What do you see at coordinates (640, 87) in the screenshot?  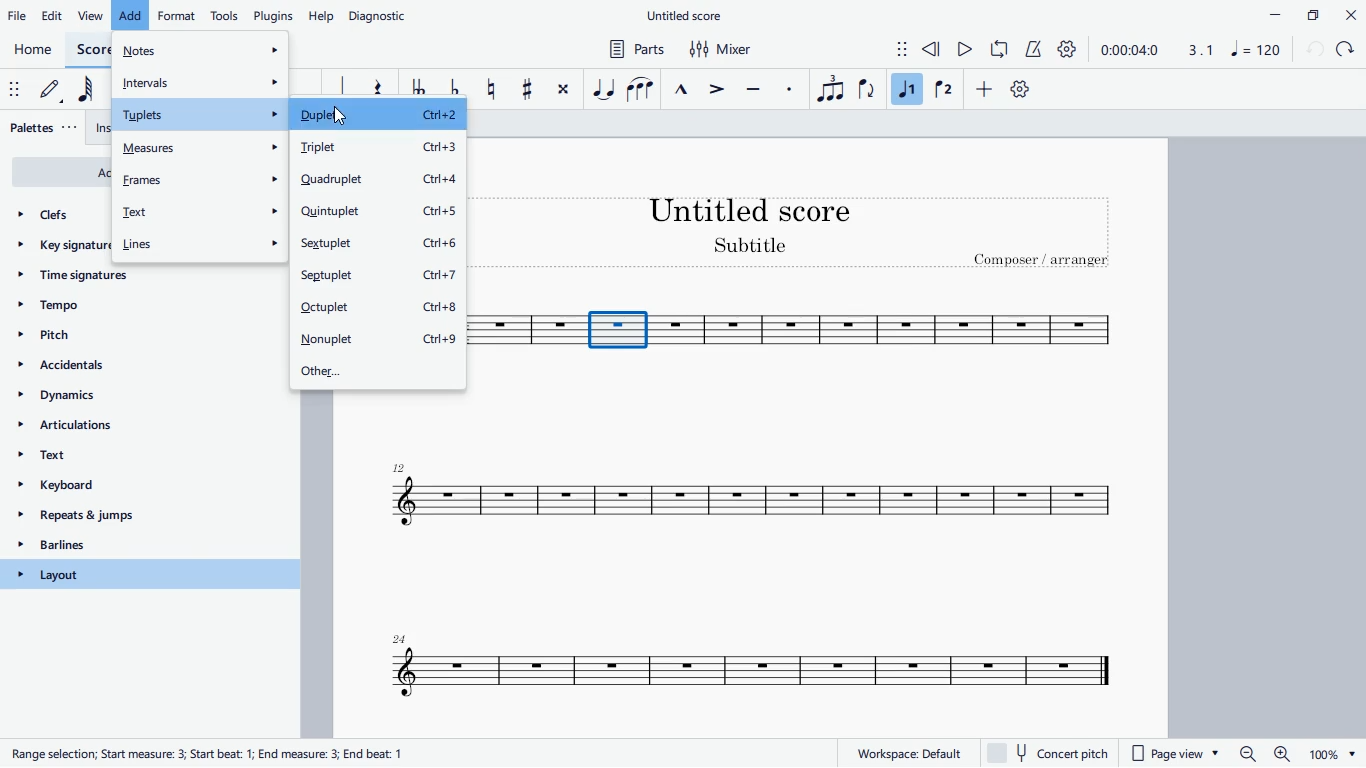 I see `slur` at bounding box center [640, 87].